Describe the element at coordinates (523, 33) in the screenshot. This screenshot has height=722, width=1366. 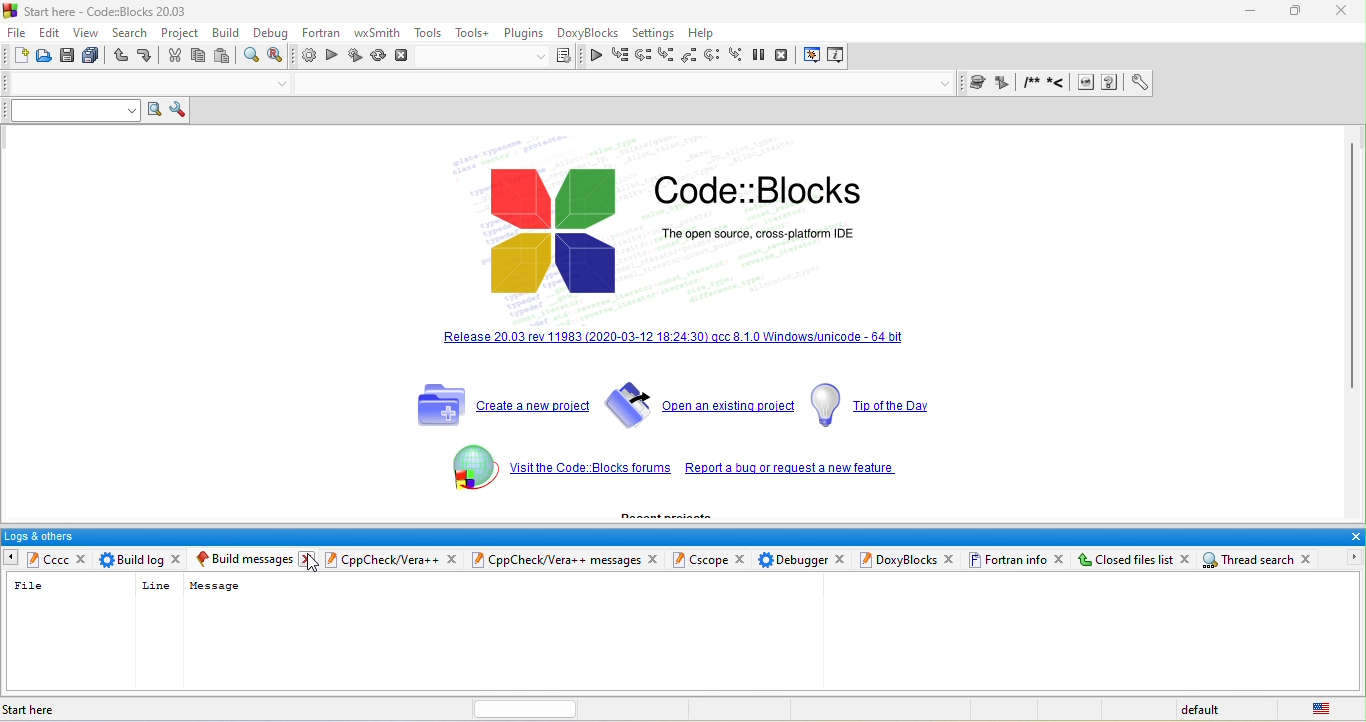
I see `plugins` at that location.